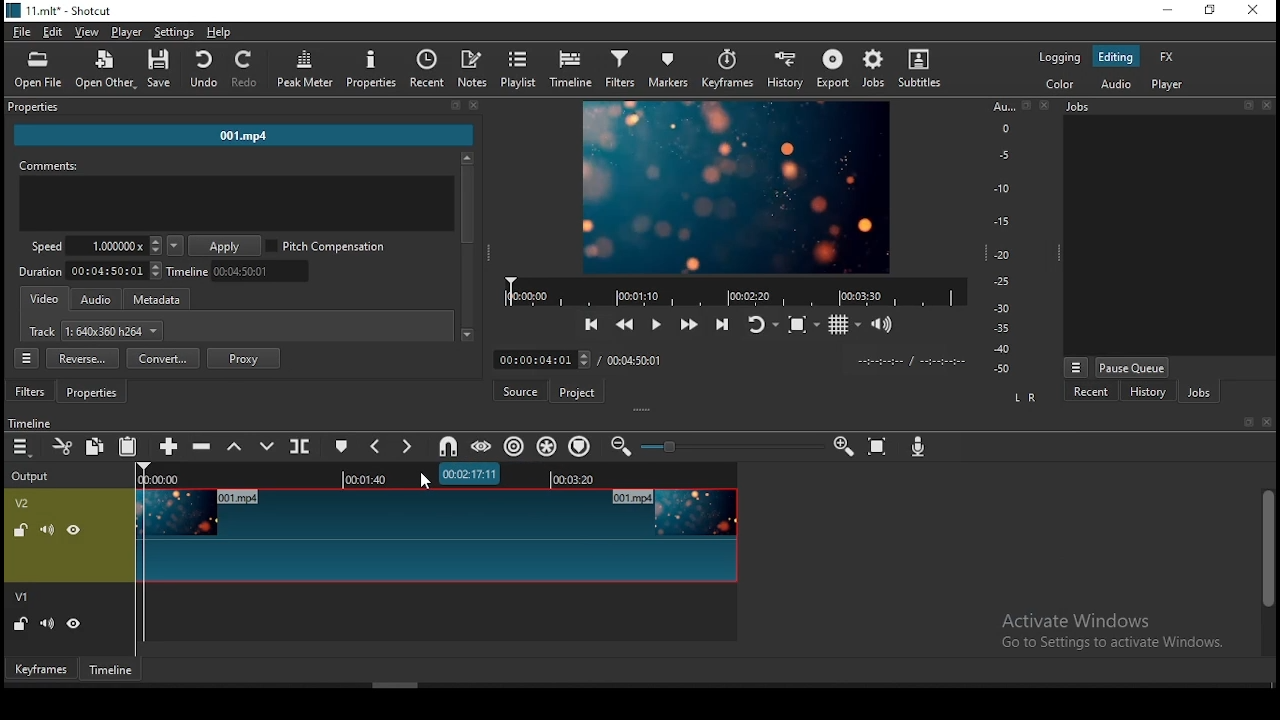 Image resolution: width=1280 pixels, height=720 pixels. Describe the element at coordinates (635, 360) in the screenshot. I see `MAX TIME` at that location.